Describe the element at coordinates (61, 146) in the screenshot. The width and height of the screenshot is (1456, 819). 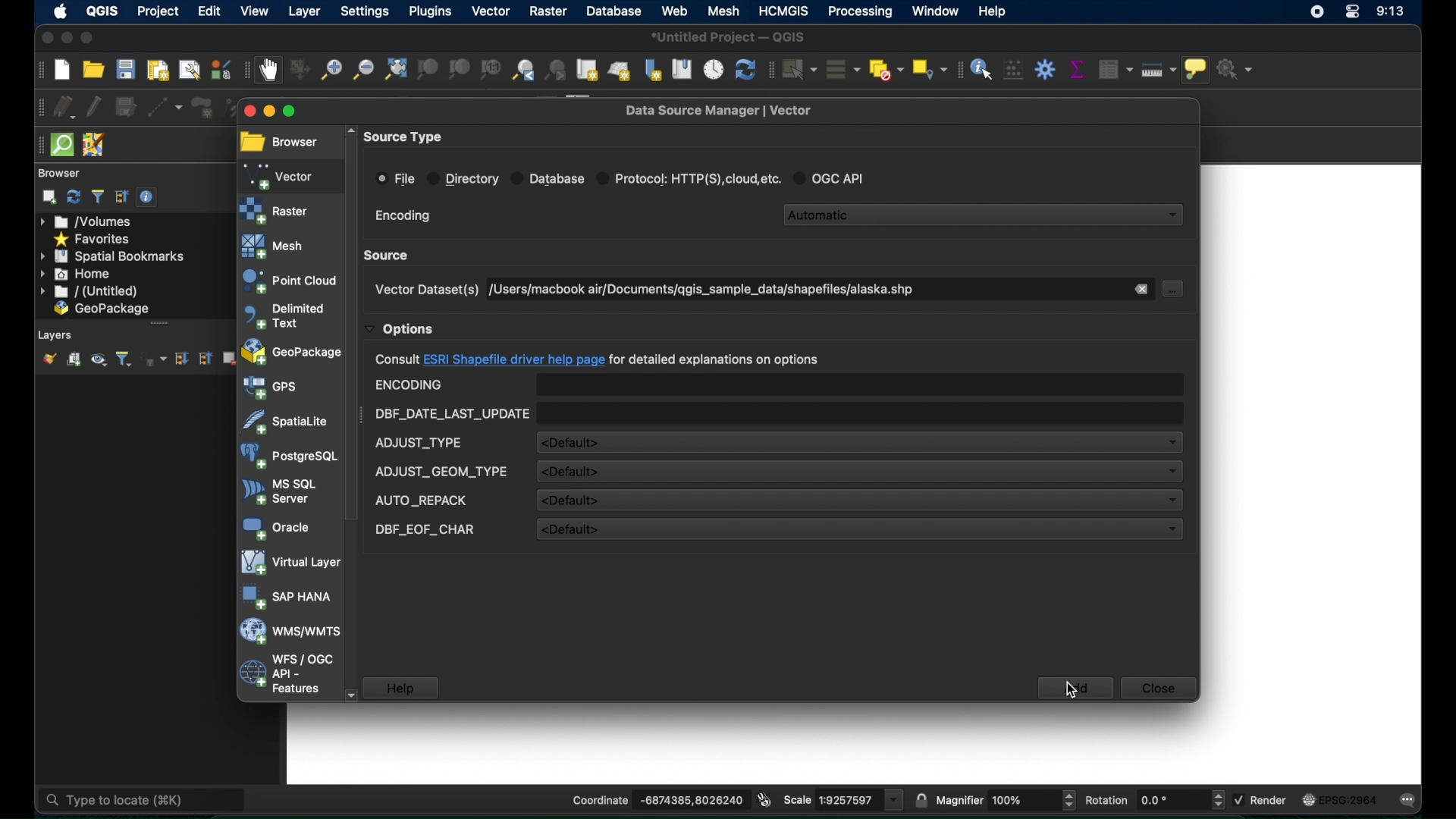
I see `quicksom` at that location.